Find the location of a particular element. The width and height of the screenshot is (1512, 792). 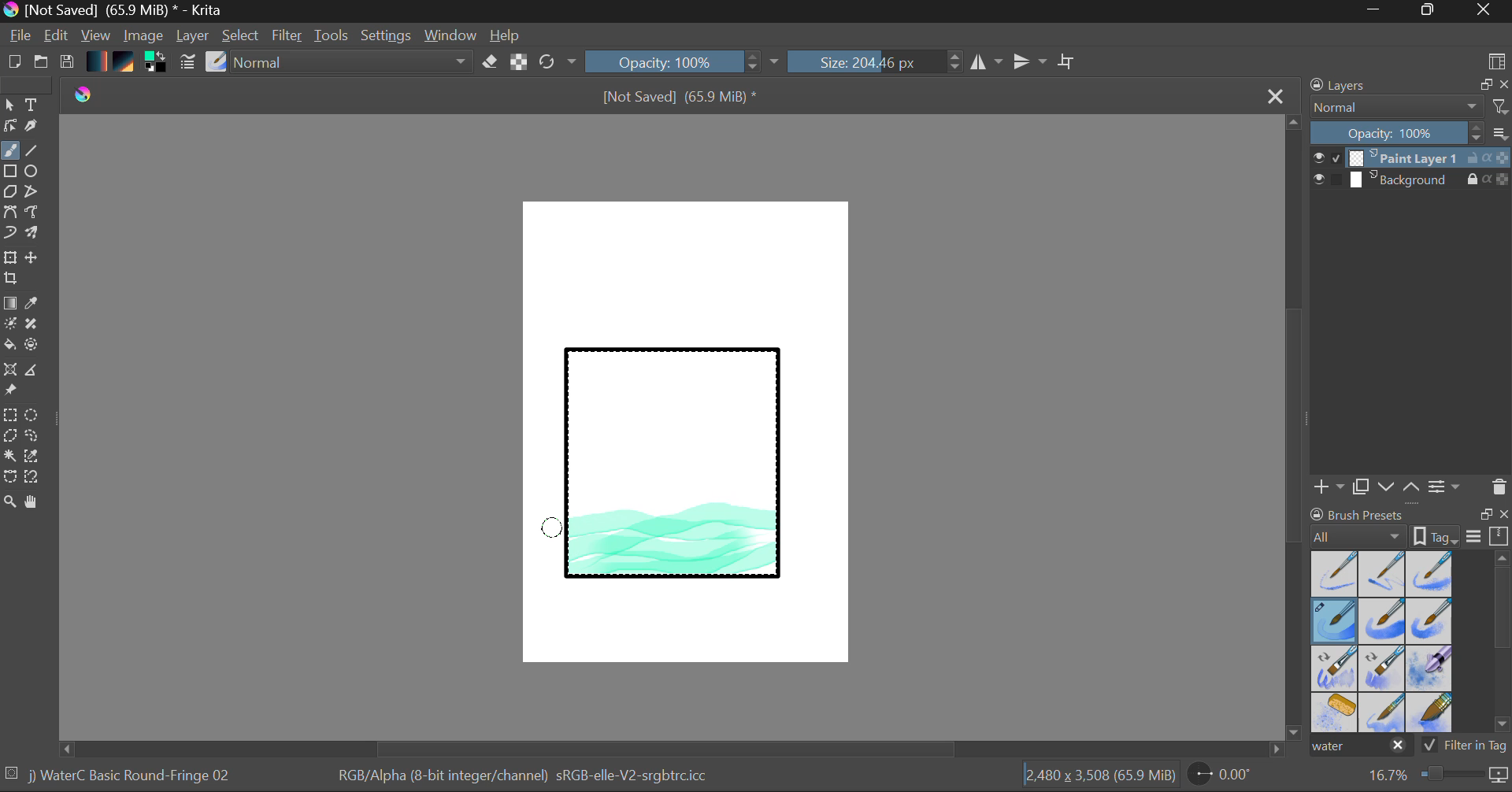

Colors in use is located at coordinates (157, 63).